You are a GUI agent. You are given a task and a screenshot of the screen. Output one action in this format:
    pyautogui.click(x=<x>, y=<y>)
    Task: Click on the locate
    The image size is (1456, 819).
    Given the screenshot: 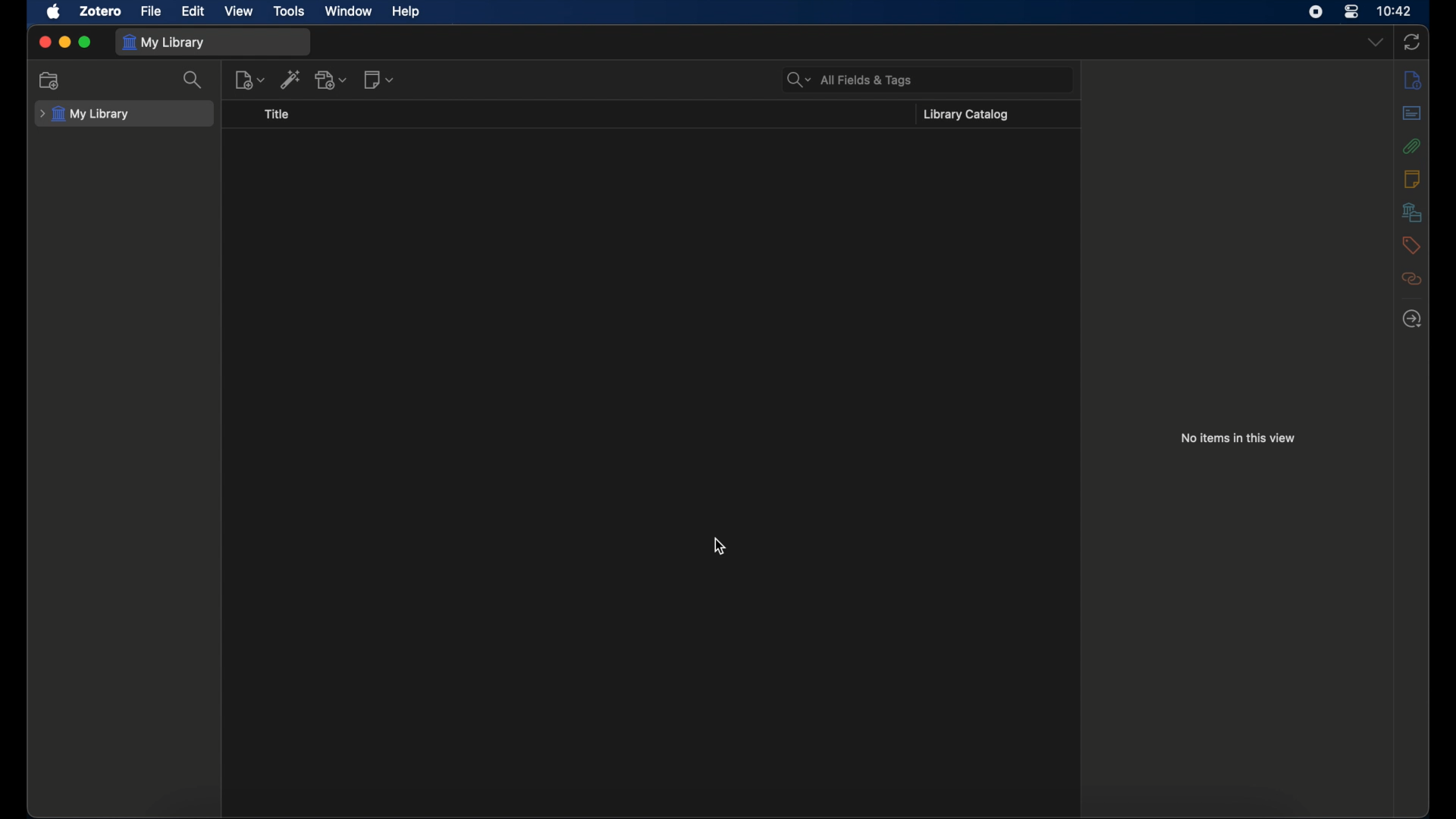 What is the action you would take?
    pyautogui.click(x=1412, y=319)
    